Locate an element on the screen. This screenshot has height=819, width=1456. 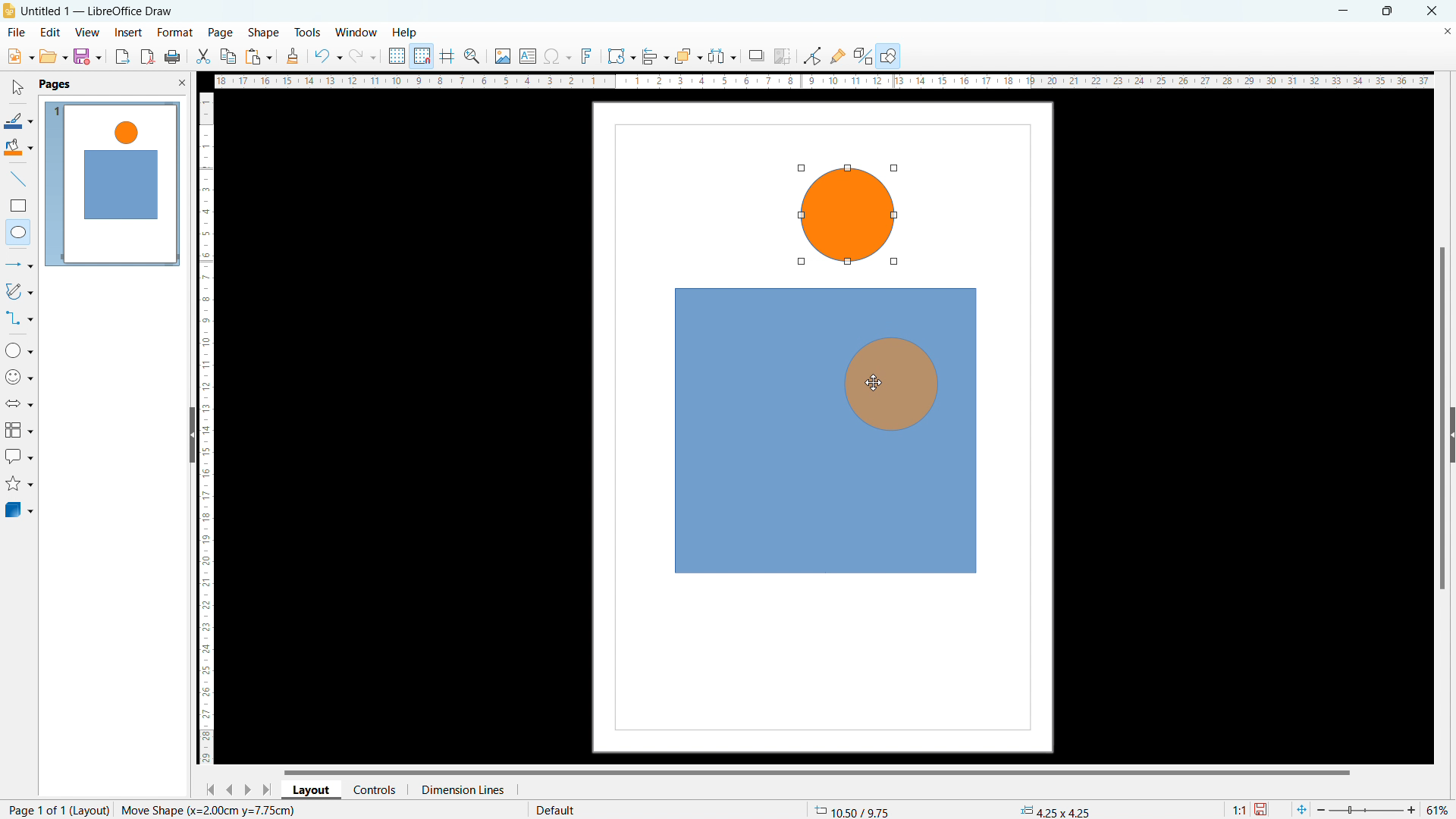
go to first page is located at coordinates (208, 789).